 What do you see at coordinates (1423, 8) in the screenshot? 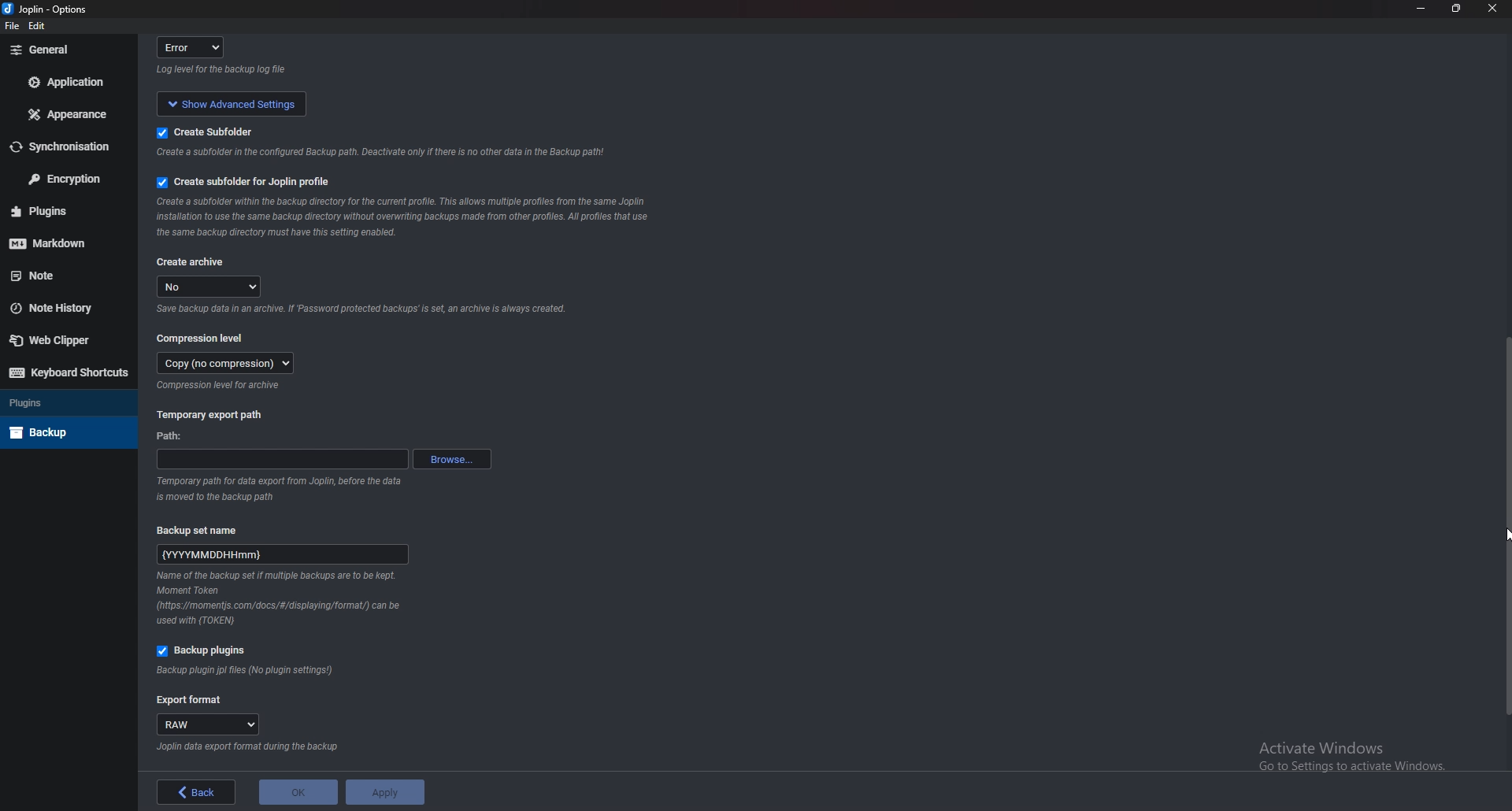
I see `Minimize` at bounding box center [1423, 8].